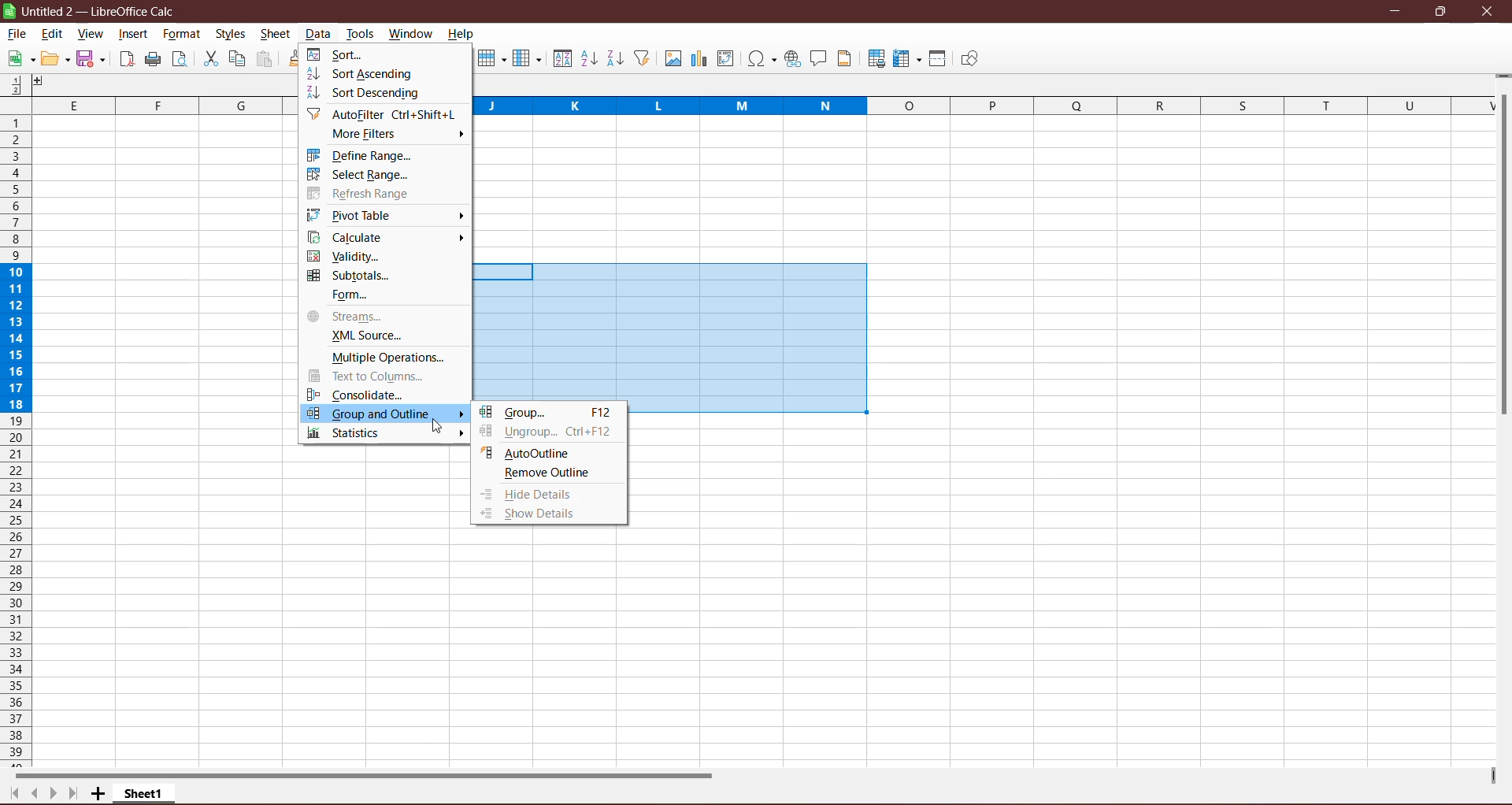 The height and width of the screenshot is (805, 1512). What do you see at coordinates (699, 58) in the screenshot?
I see `Insert Poll` at bounding box center [699, 58].